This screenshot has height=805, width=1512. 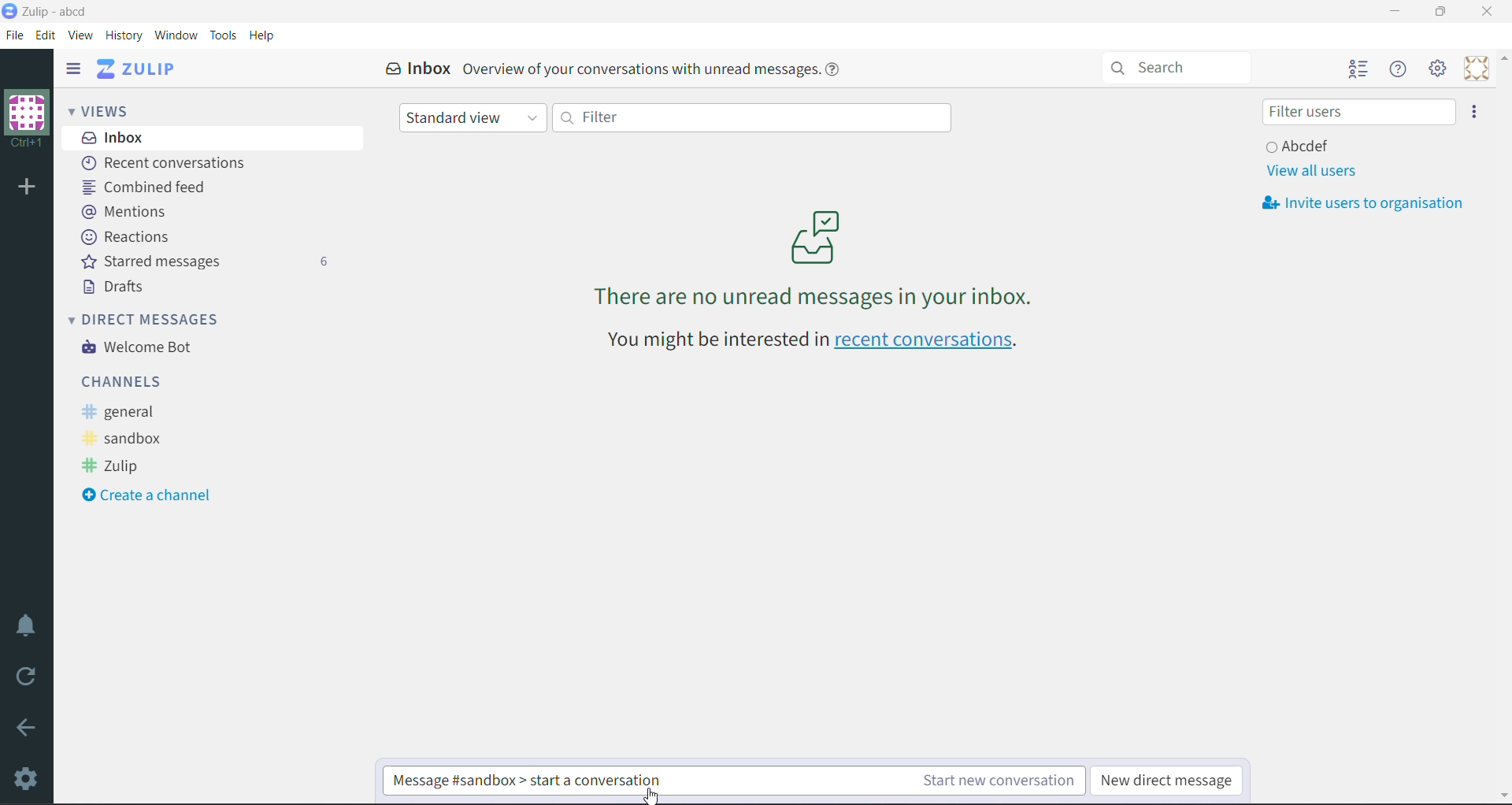 I want to click on Search, so click(x=1184, y=66).